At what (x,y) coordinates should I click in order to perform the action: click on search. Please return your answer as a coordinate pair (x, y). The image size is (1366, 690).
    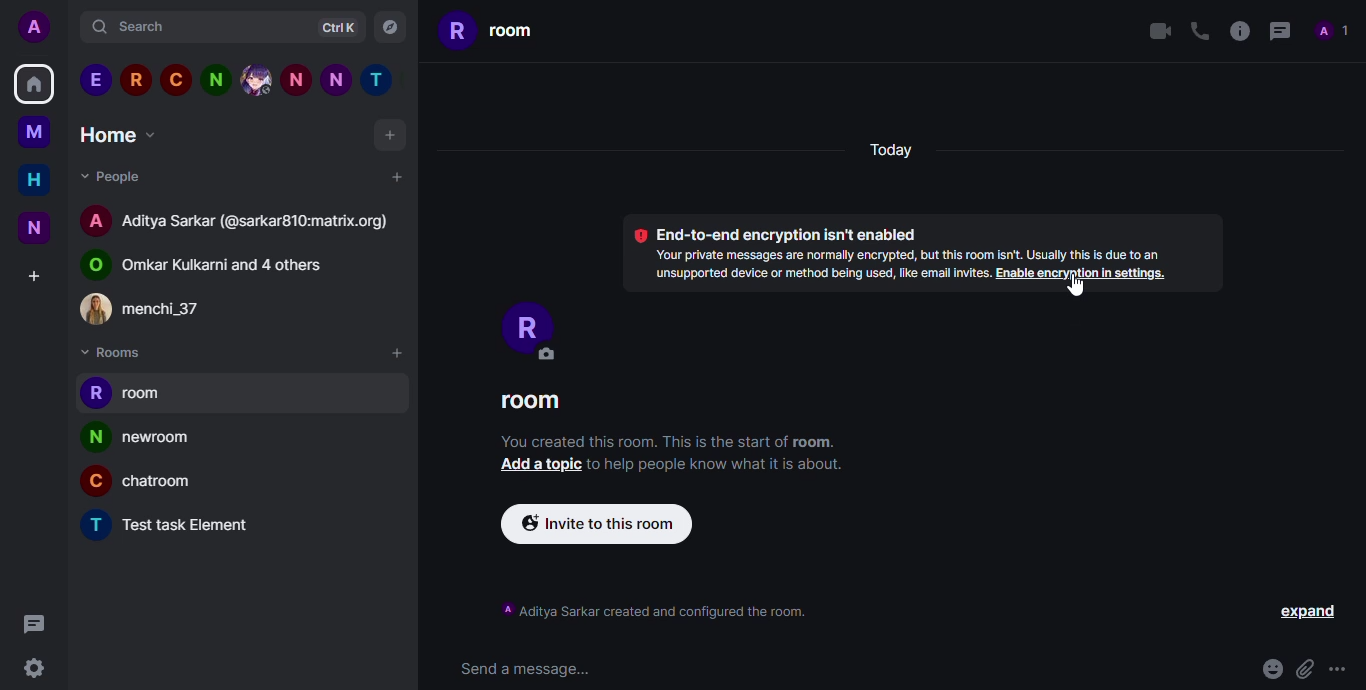
    Looking at the image, I should click on (145, 26).